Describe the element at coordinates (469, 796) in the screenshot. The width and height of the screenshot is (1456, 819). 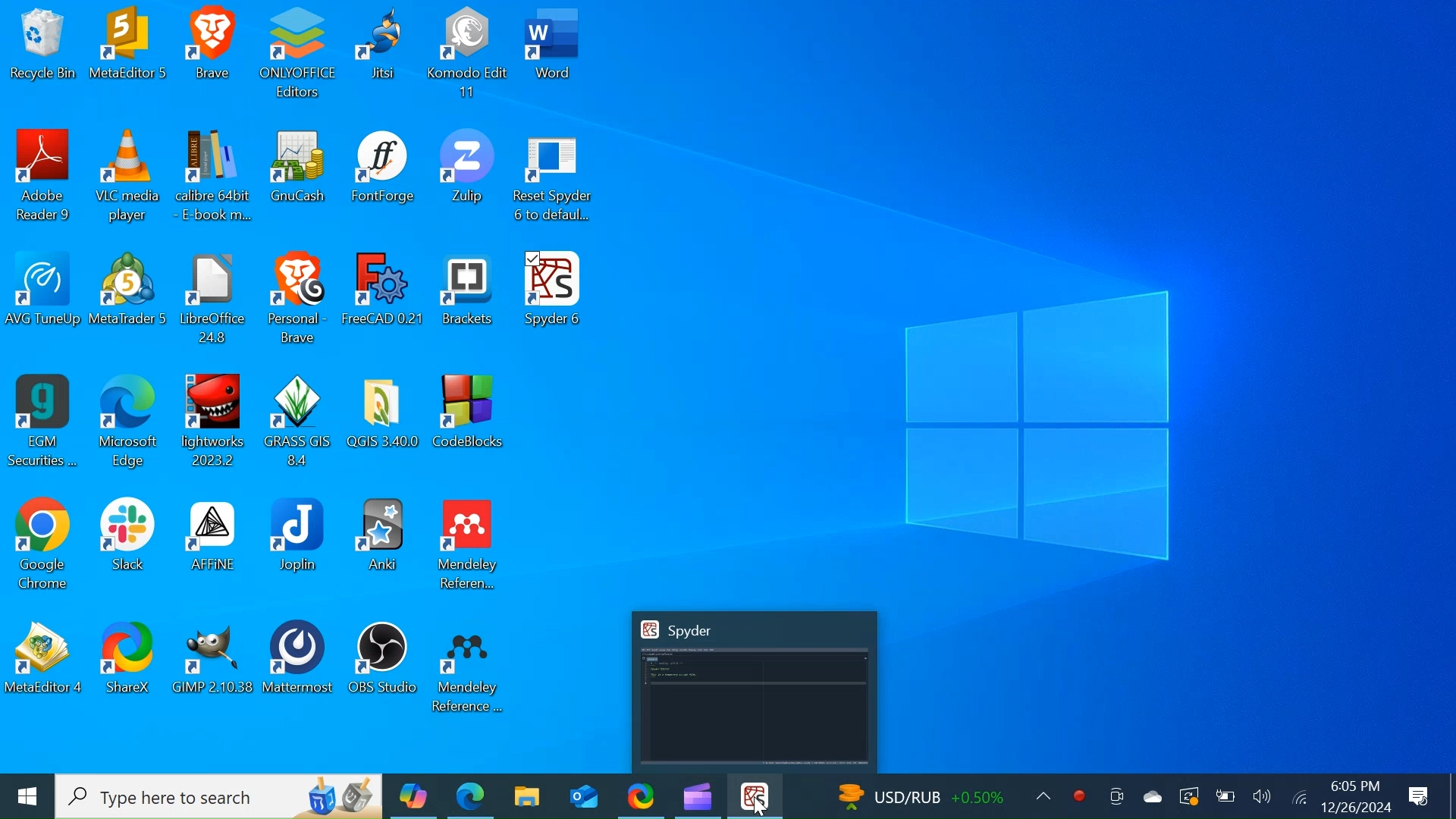
I see `Microsoft Edge Desktop Icon` at that location.